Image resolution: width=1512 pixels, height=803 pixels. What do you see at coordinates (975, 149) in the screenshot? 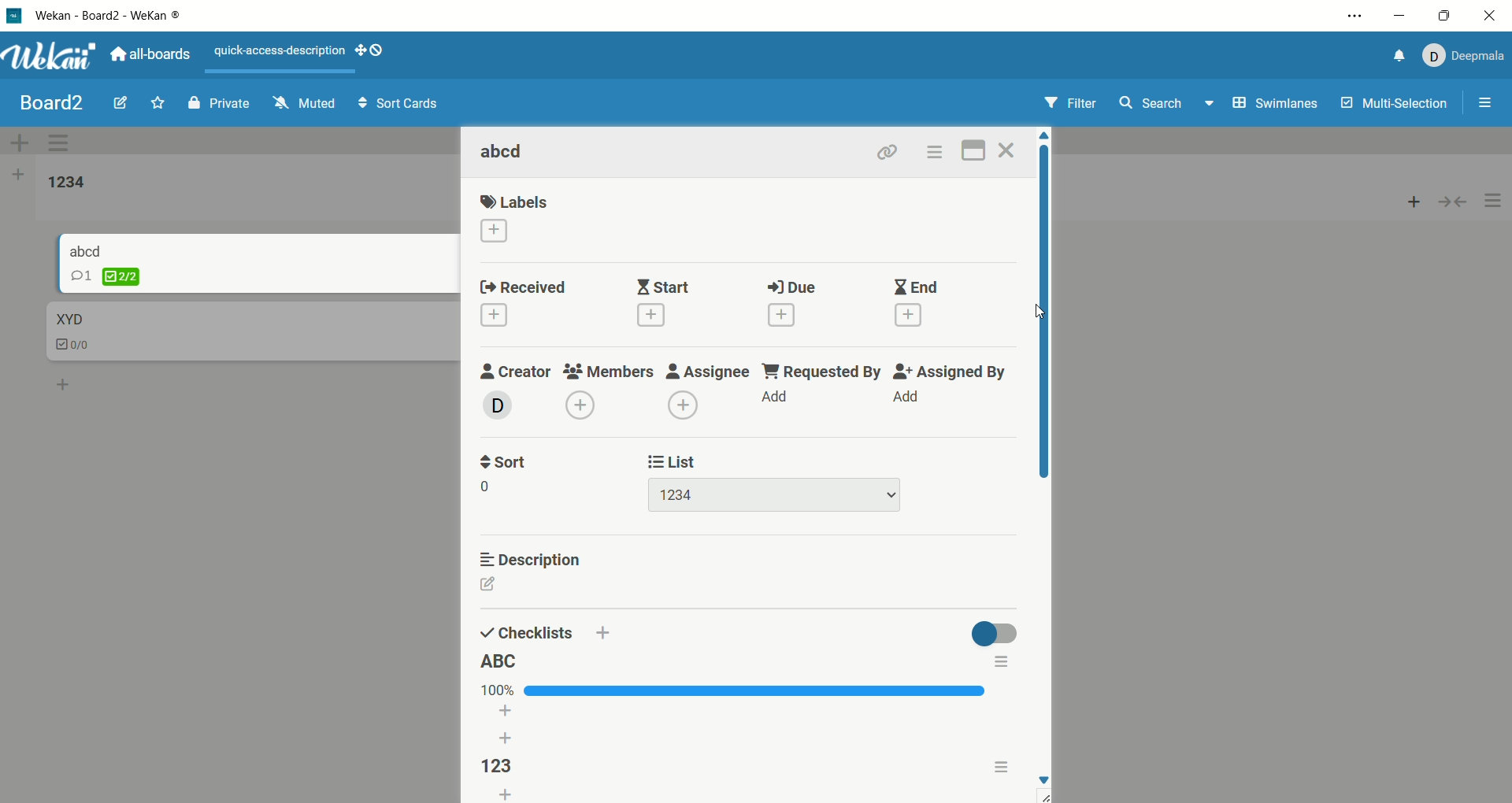
I see `maximize` at bounding box center [975, 149].